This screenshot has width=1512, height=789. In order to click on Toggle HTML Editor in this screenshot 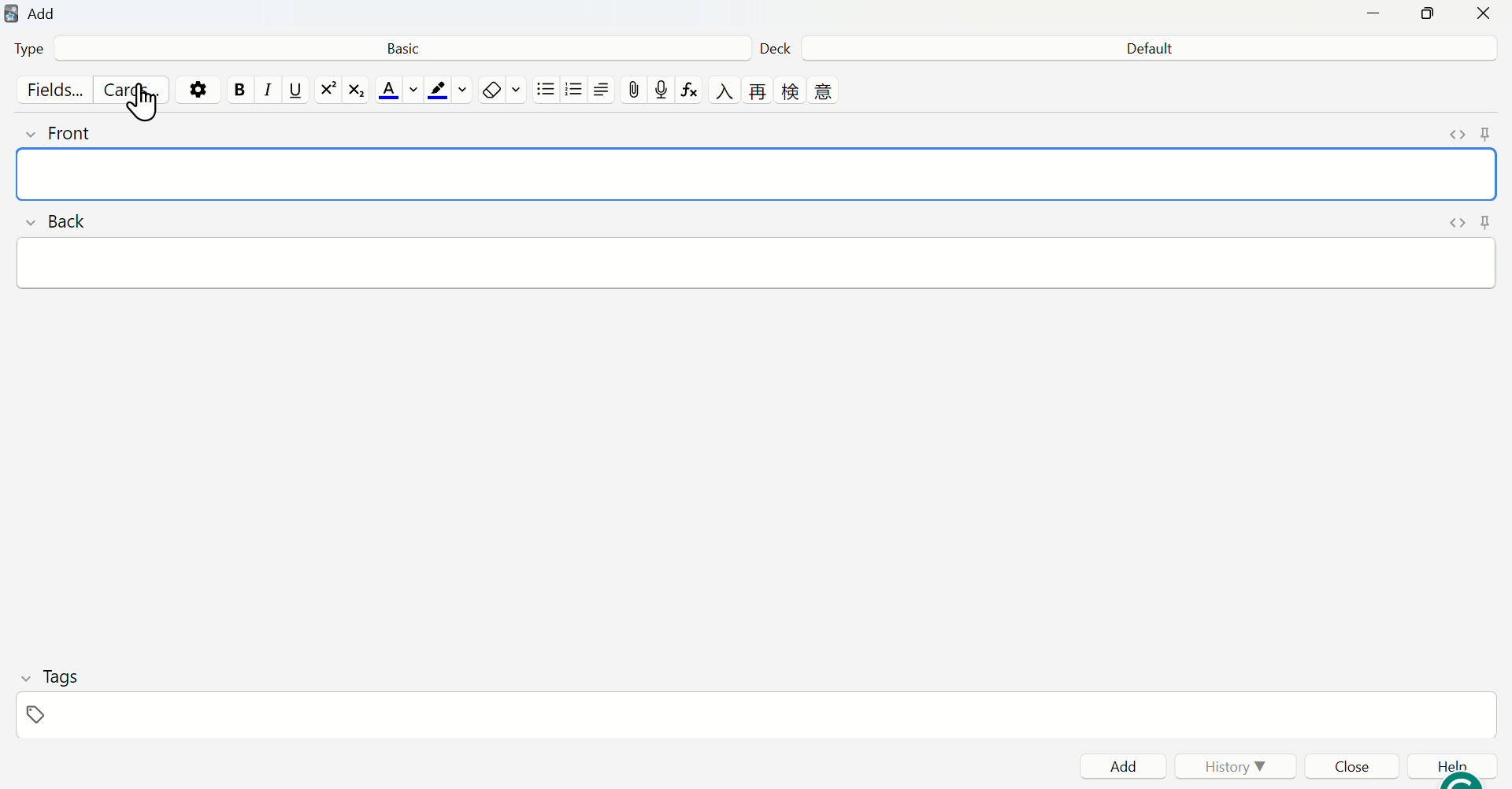, I will do `click(1458, 131)`.